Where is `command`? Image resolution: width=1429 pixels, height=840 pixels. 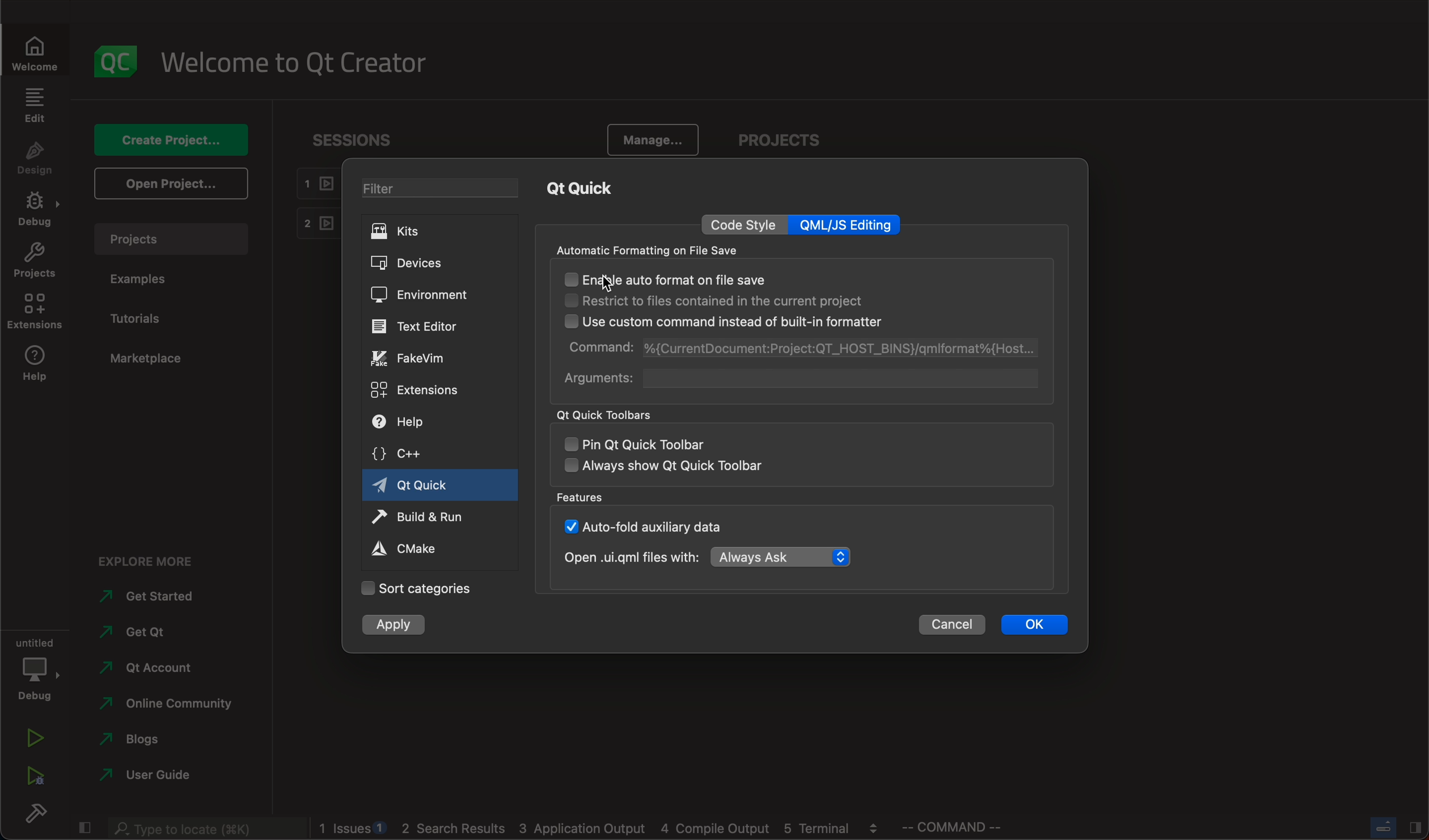
command is located at coordinates (803, 347).